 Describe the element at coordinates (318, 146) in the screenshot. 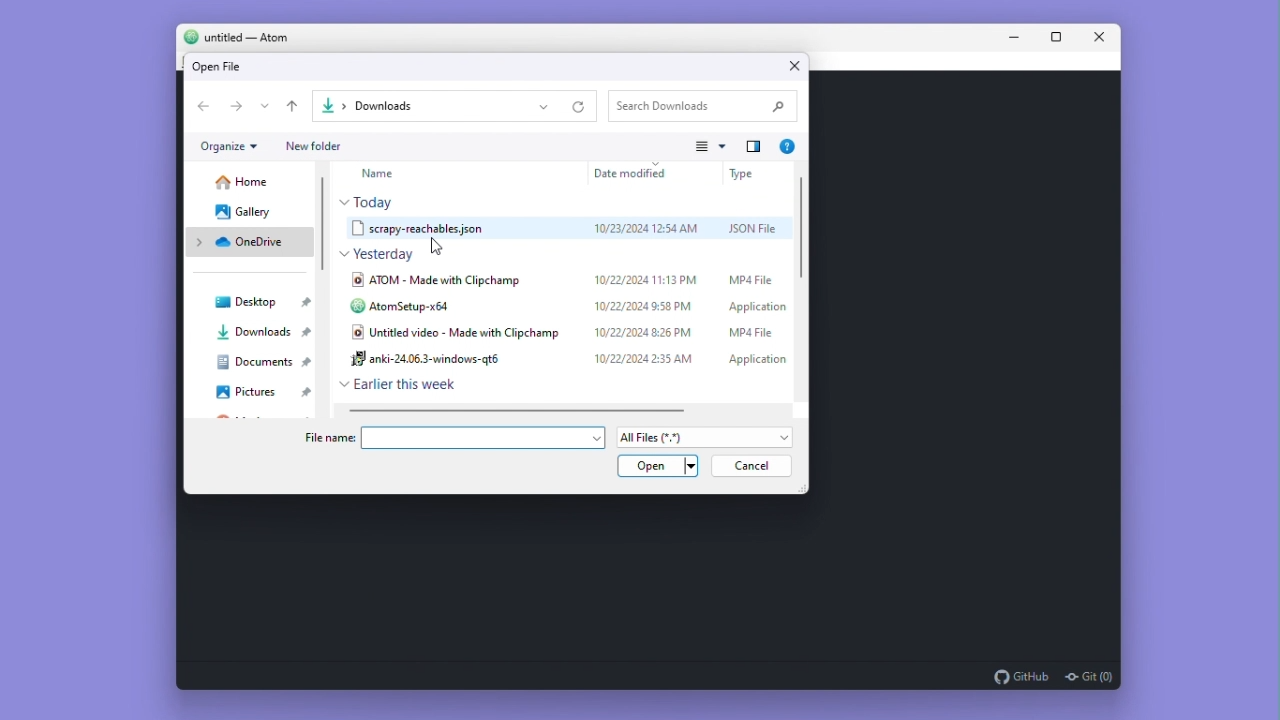

I see `New folder` at that location.